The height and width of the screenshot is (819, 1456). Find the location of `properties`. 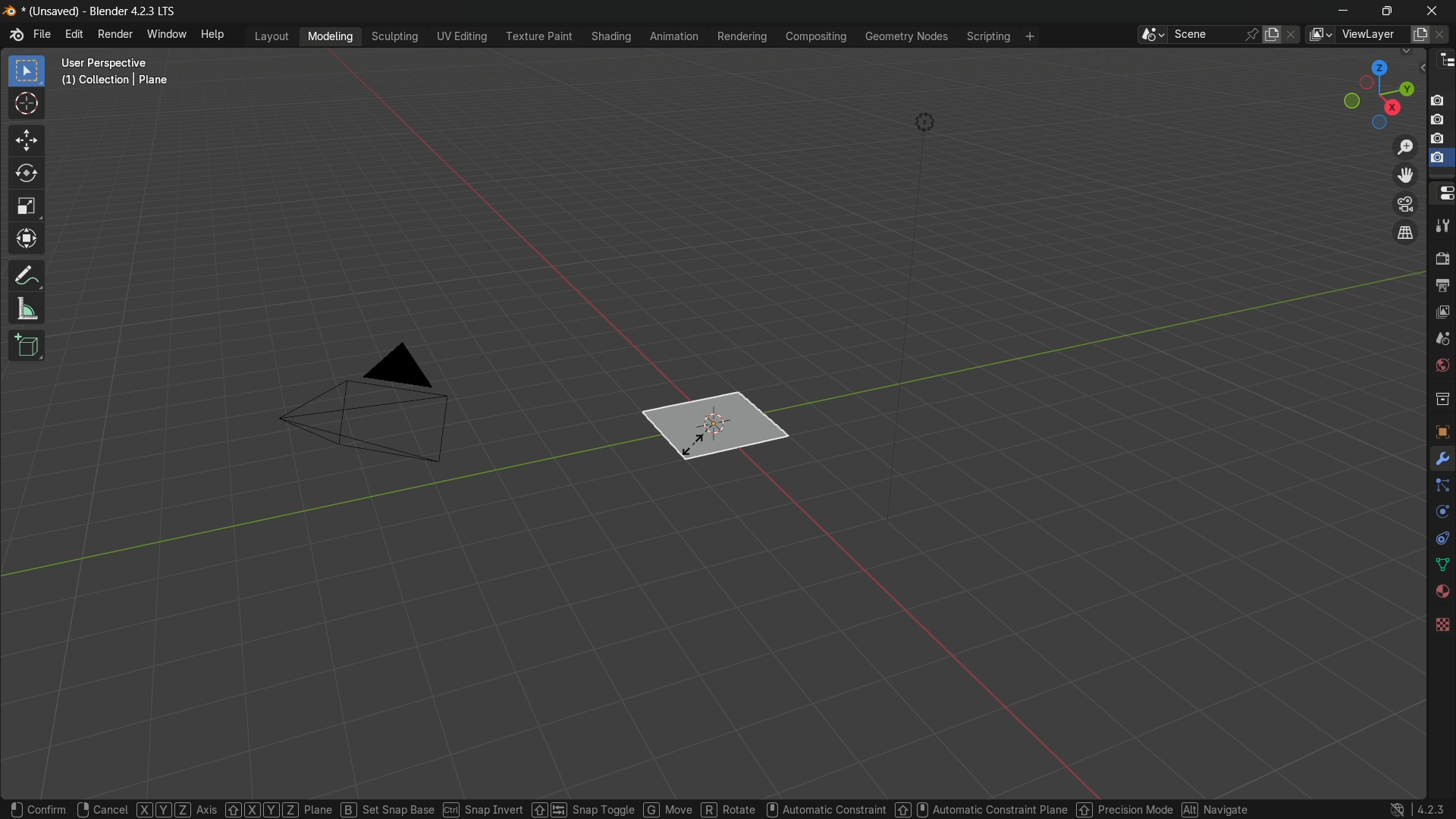

properties is located at coordinates (1443, 191).